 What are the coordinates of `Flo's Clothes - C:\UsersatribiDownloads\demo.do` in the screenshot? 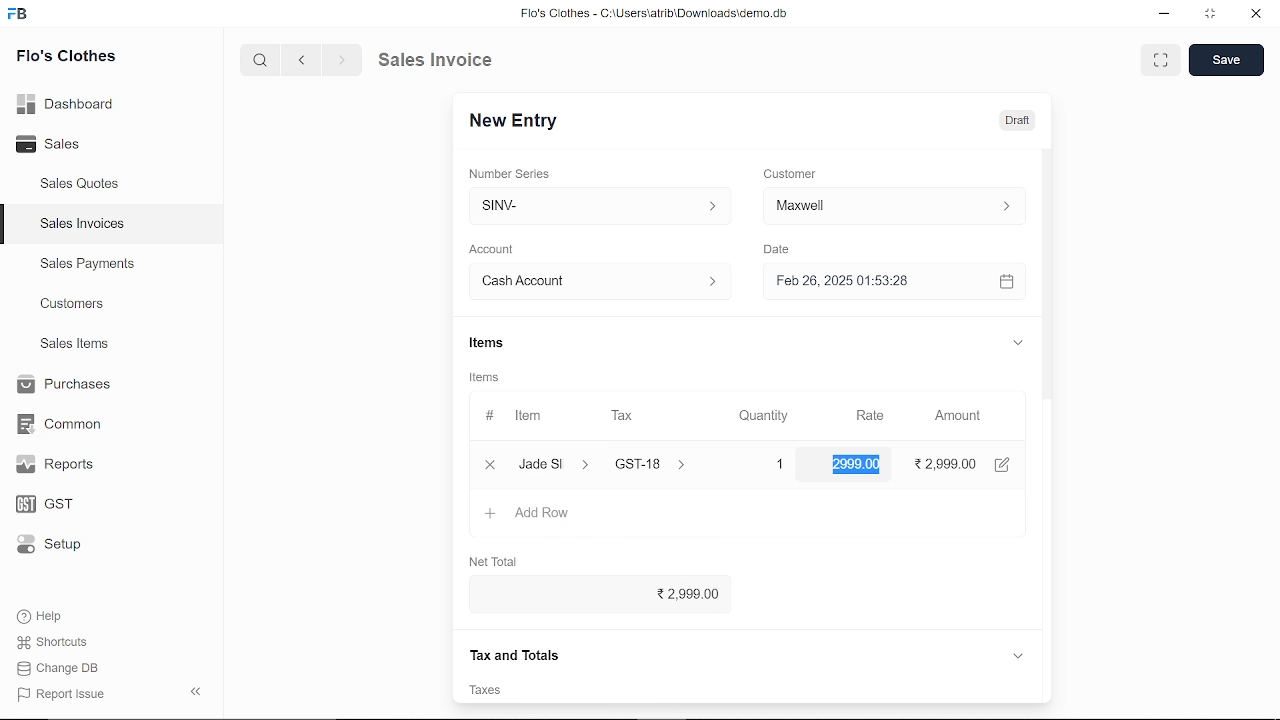 It's located at (662, 15).